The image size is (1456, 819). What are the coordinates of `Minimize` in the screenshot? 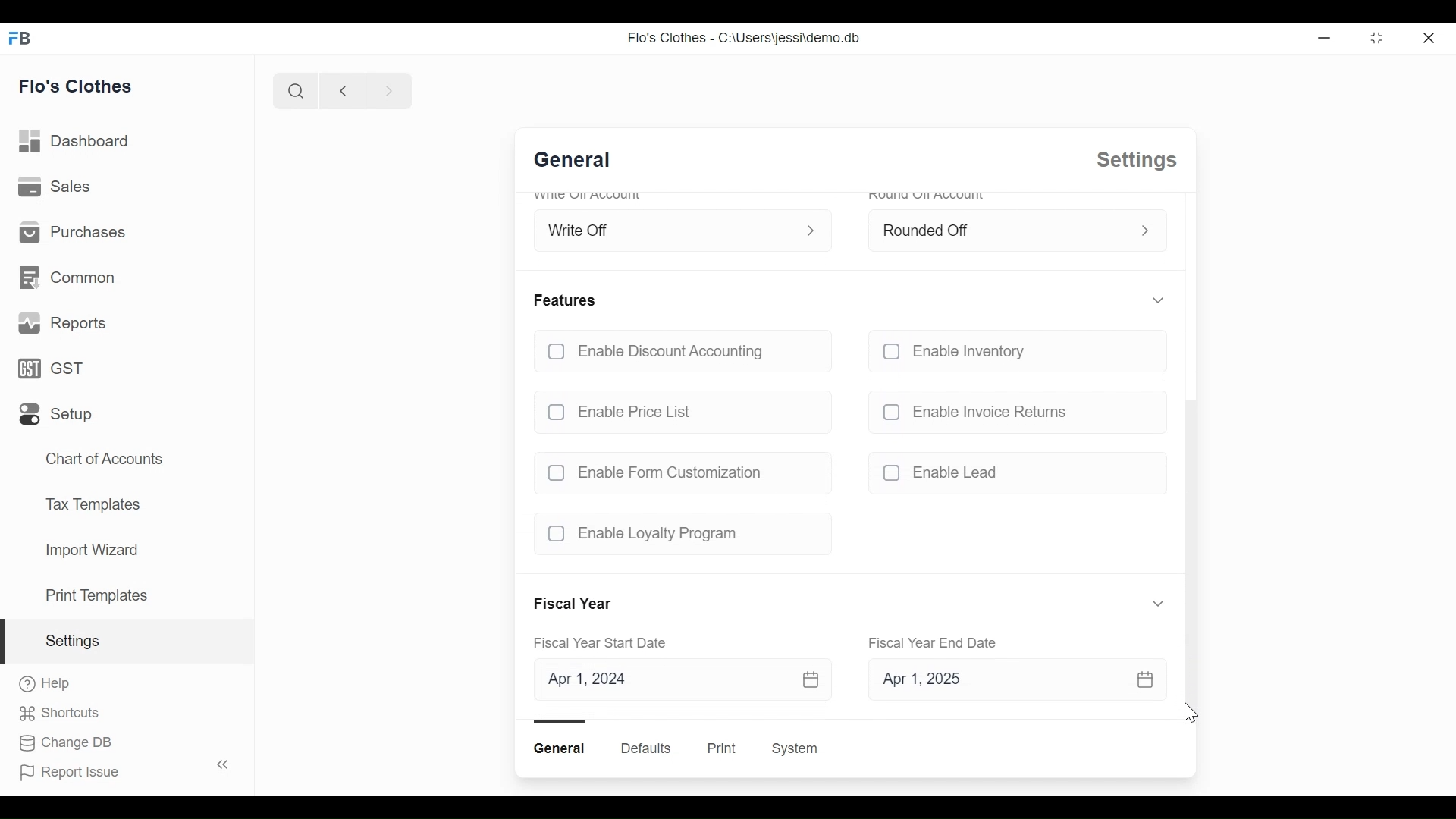 It's located at (1322, 37).